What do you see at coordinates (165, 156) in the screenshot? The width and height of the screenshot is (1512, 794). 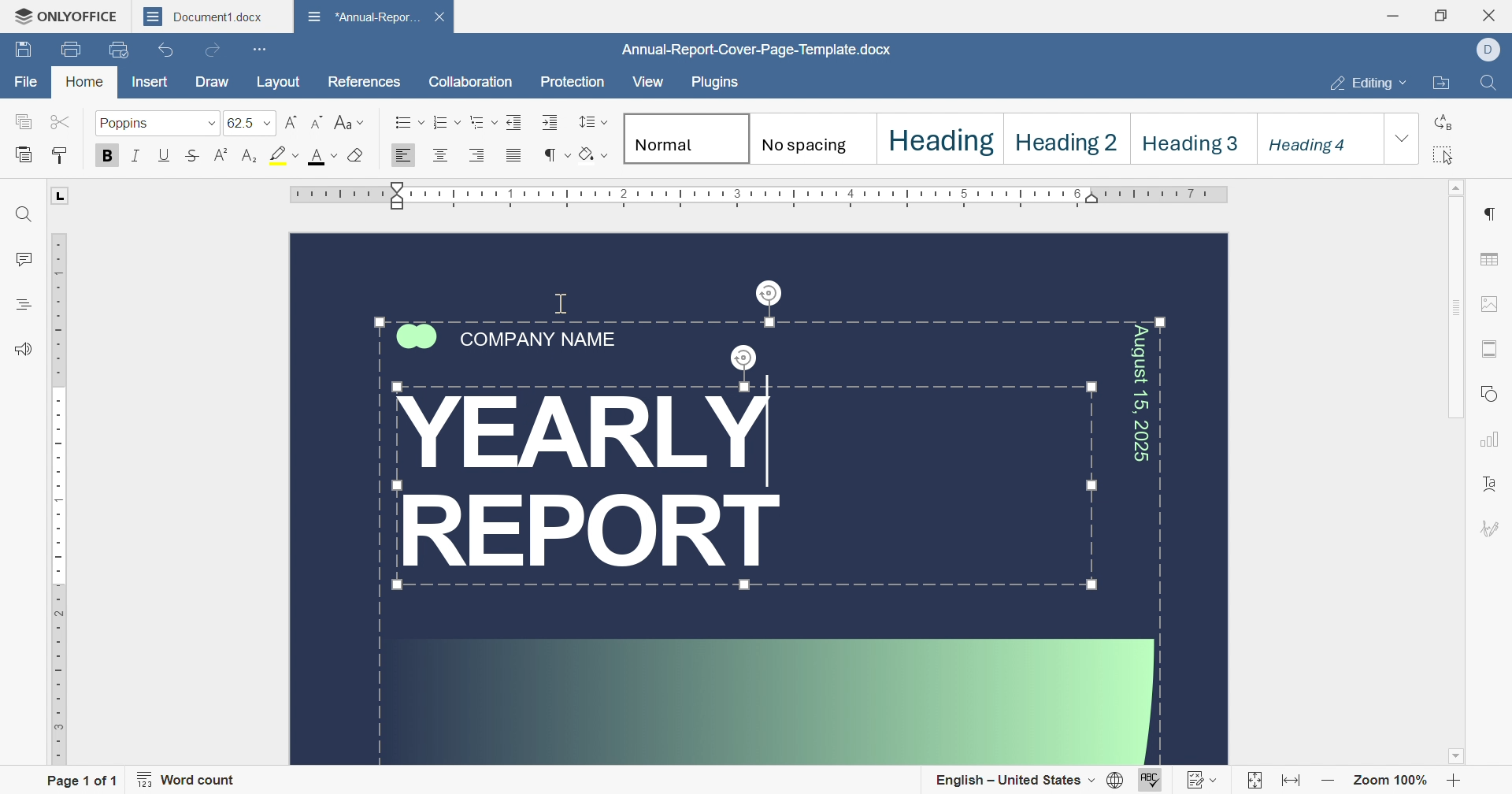 I see `underline` at bounding box center [165, 156].